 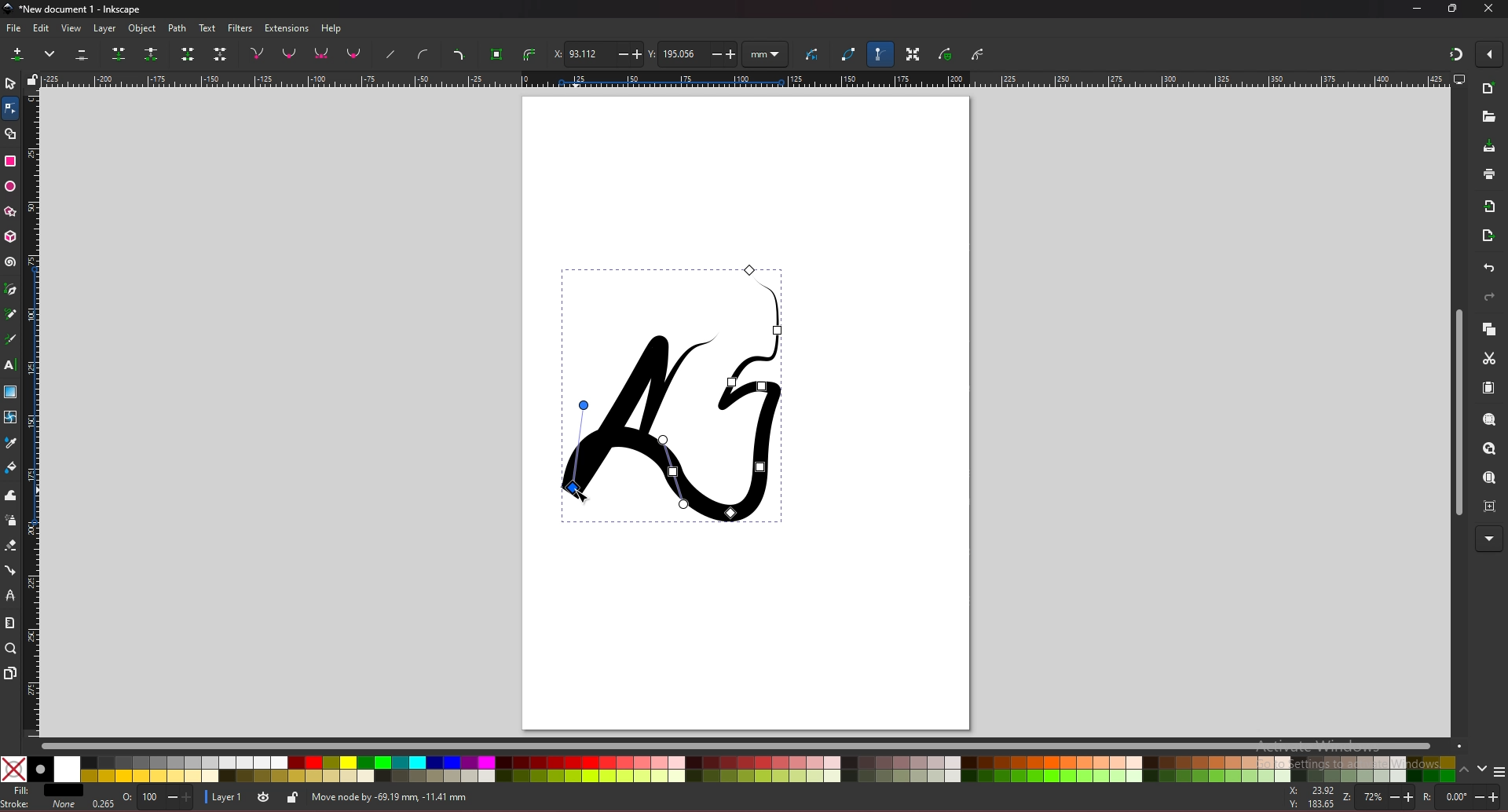 What do you see at coordinates (1488, 329) in the screenshot?
I see `copy` at bounding box center [1488, 329].